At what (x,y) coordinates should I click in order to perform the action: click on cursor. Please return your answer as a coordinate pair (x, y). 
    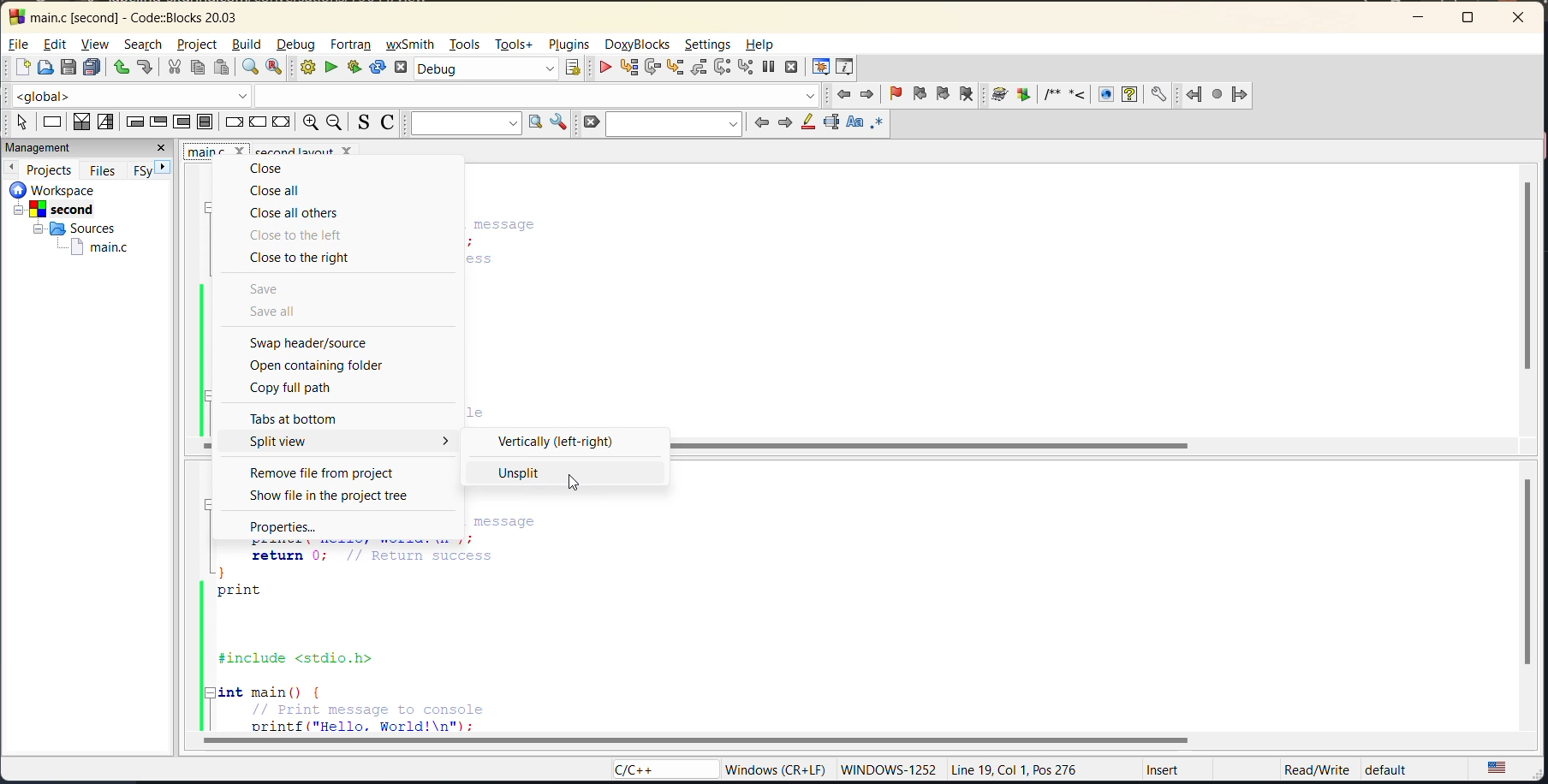
    Looking at the image, I should click on (578, 484).